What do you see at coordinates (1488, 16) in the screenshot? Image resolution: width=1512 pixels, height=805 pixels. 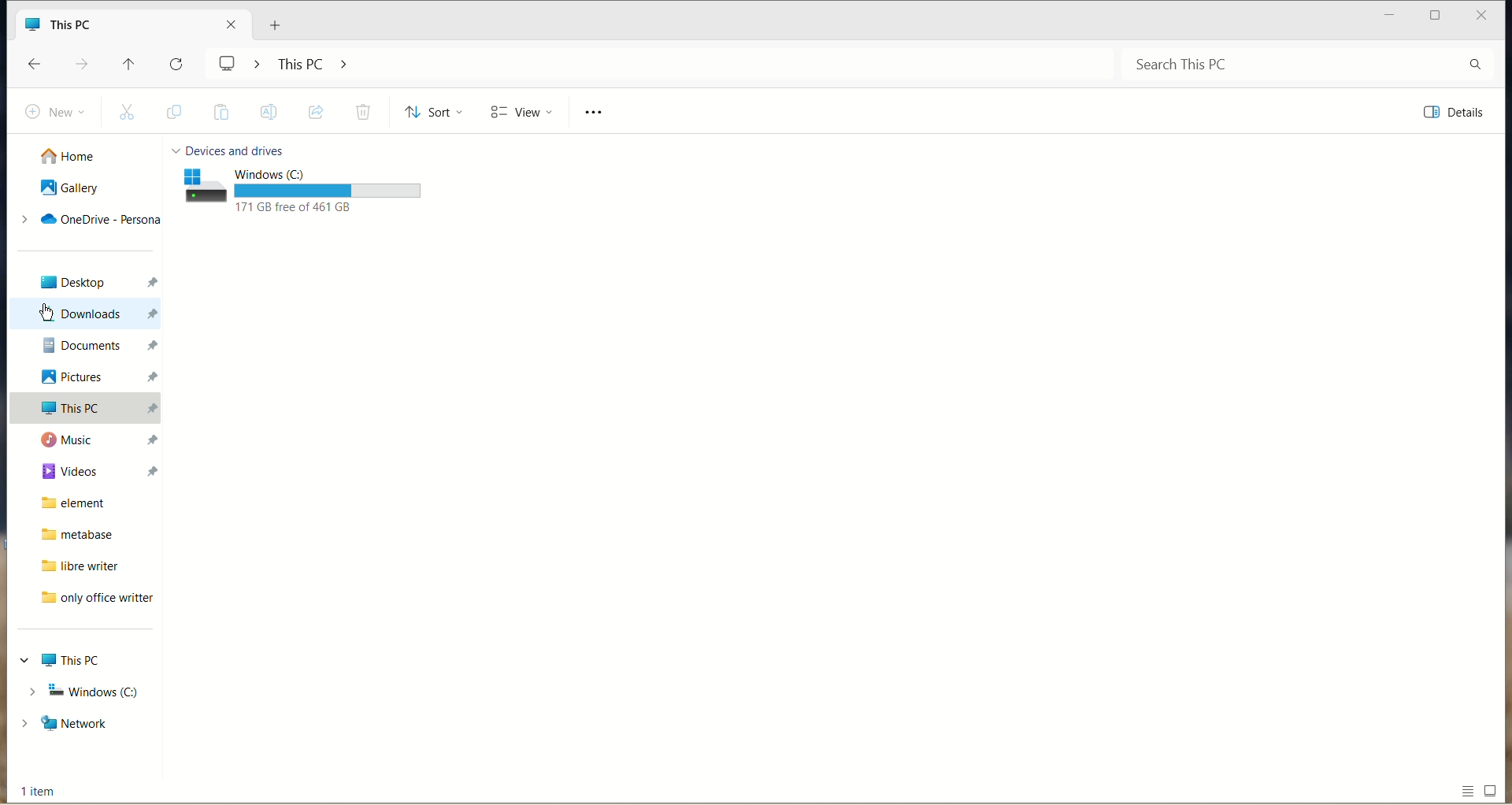 I see `close` at bounding box center [1488, 16].